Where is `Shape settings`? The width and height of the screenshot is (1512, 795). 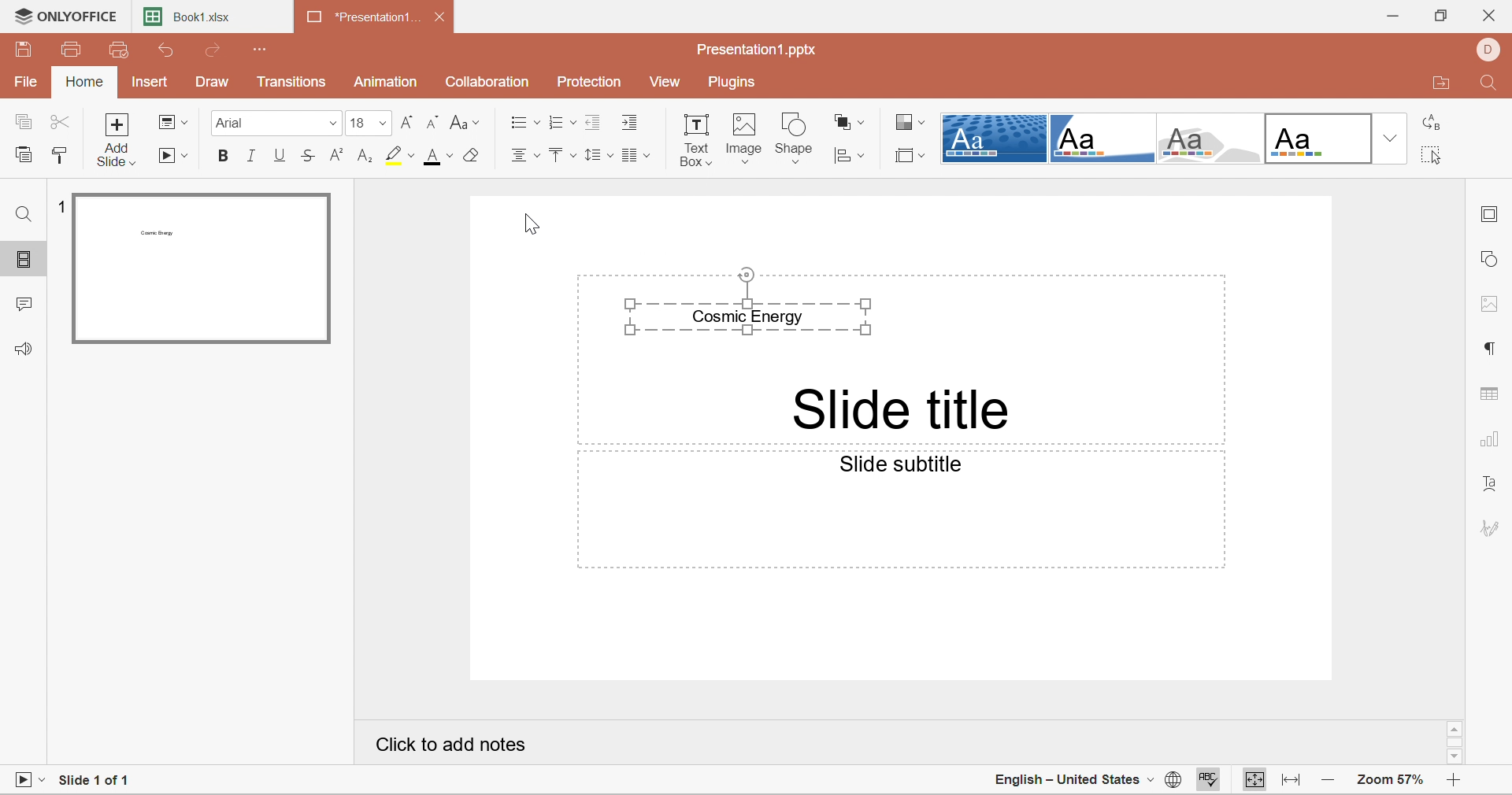 Shape settings is located at coordinates (1495, 261).